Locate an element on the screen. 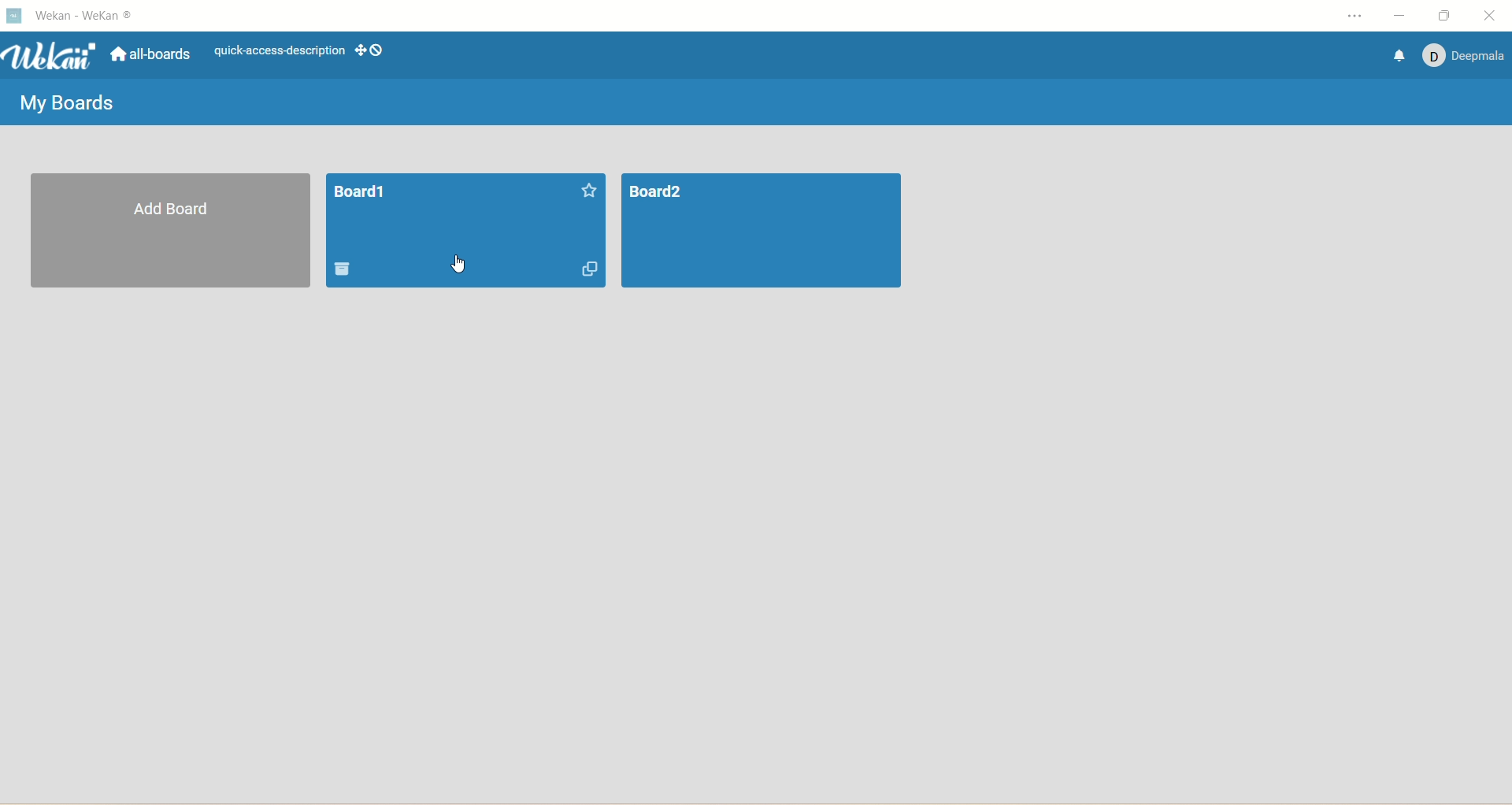  cursor is located at coordinates (456, 261).